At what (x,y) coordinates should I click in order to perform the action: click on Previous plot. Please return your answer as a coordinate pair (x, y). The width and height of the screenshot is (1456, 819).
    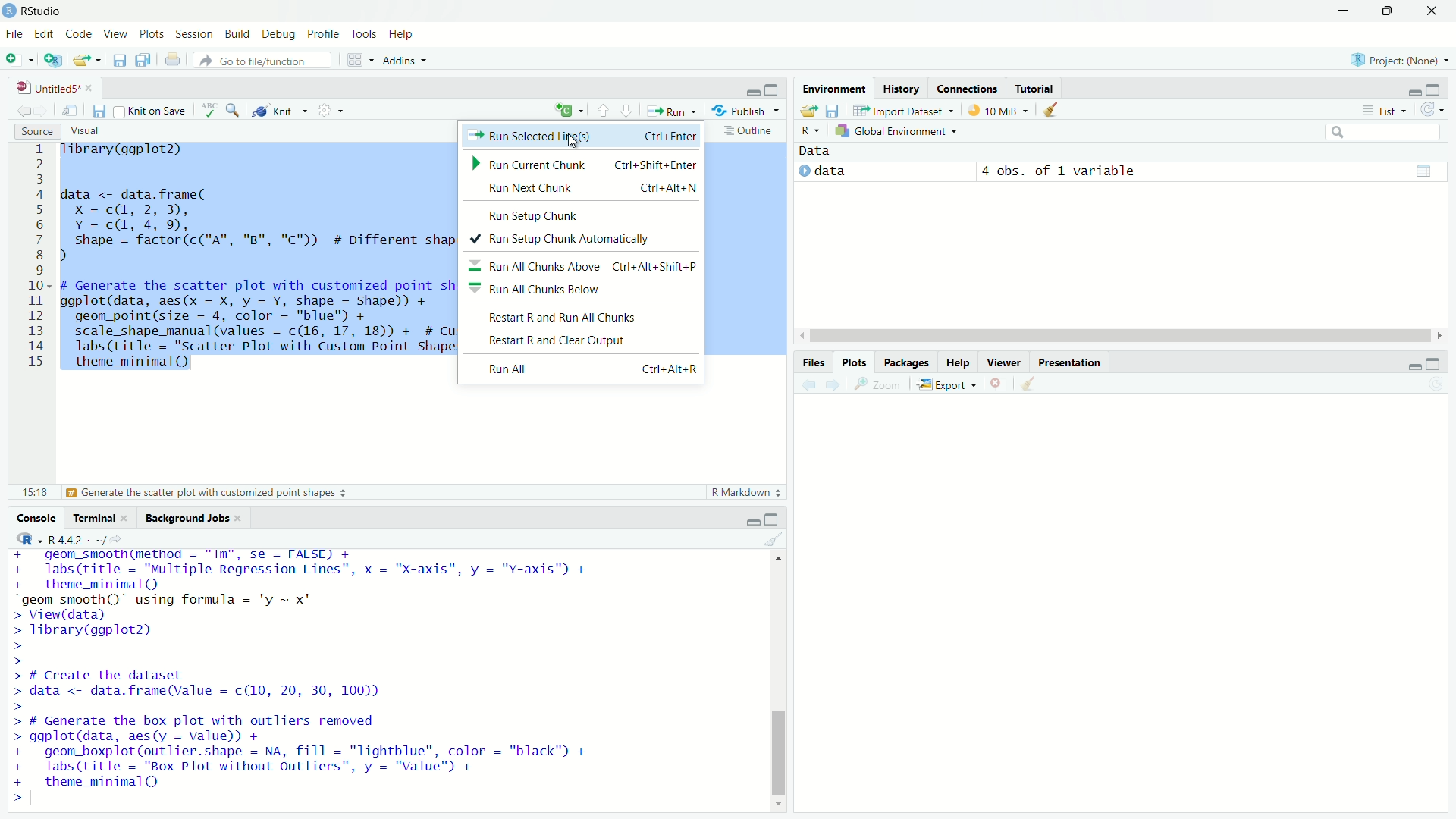
    Looking at the image, I should click on (808, 383).